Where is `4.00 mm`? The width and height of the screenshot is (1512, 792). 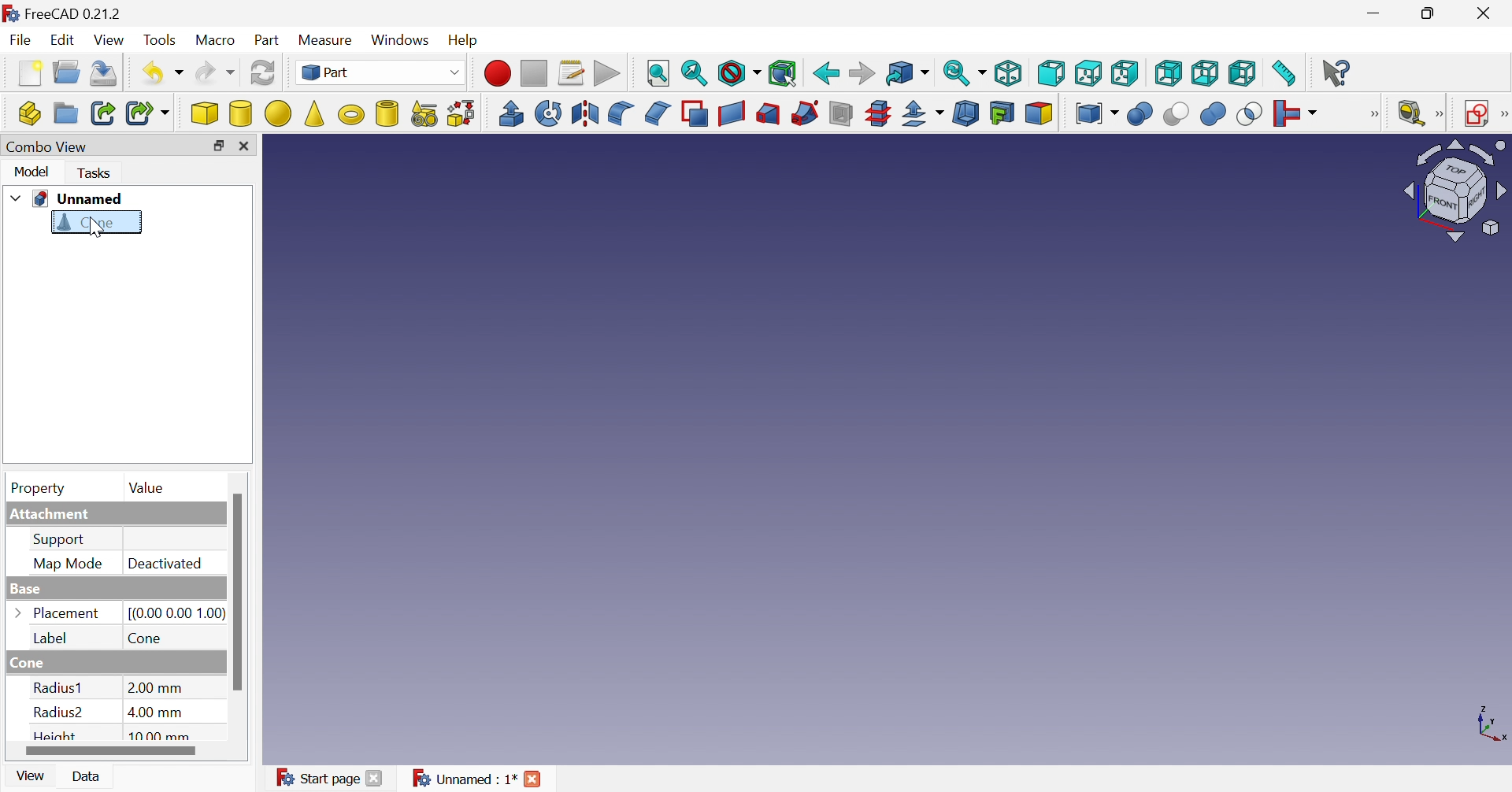 4.00 mm is located at coordinates (154, 711).